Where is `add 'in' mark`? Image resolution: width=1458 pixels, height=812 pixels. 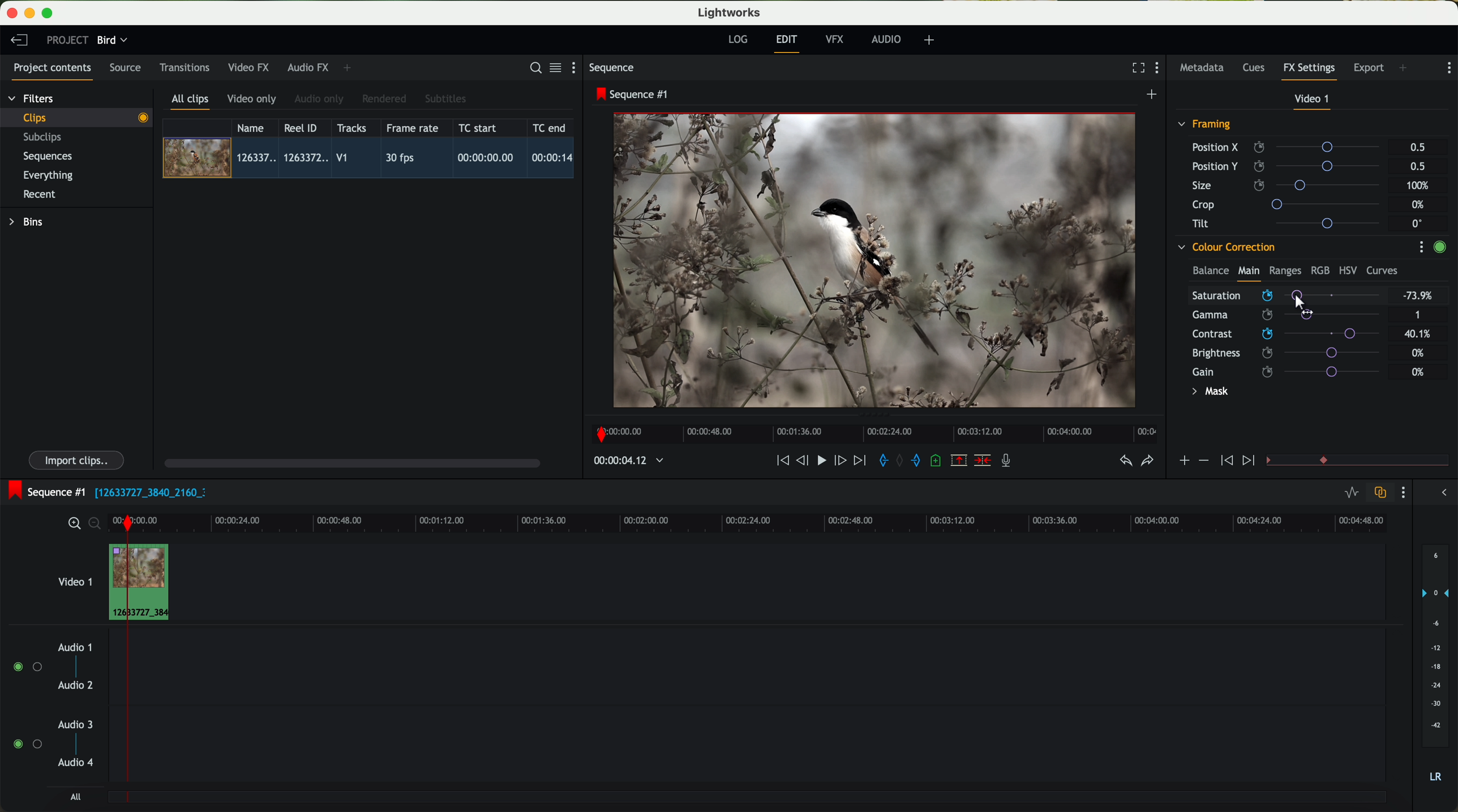
add 'in' mark is located at coordinates (880, 462).